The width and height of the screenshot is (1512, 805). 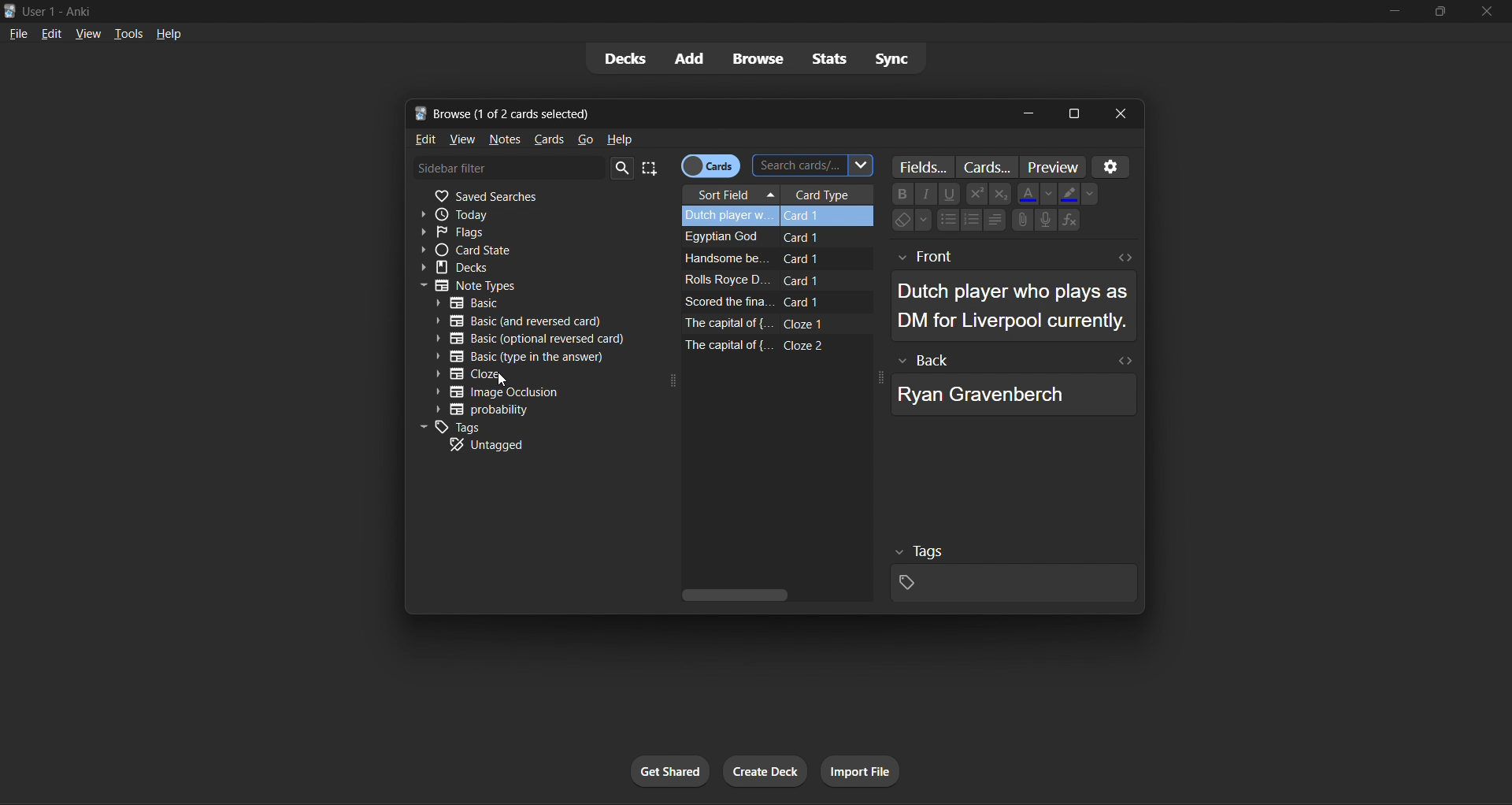 What do you see at coordinates (926, 168) in the screenshot?
I see `customize fields` at bounding box center [926, 168].